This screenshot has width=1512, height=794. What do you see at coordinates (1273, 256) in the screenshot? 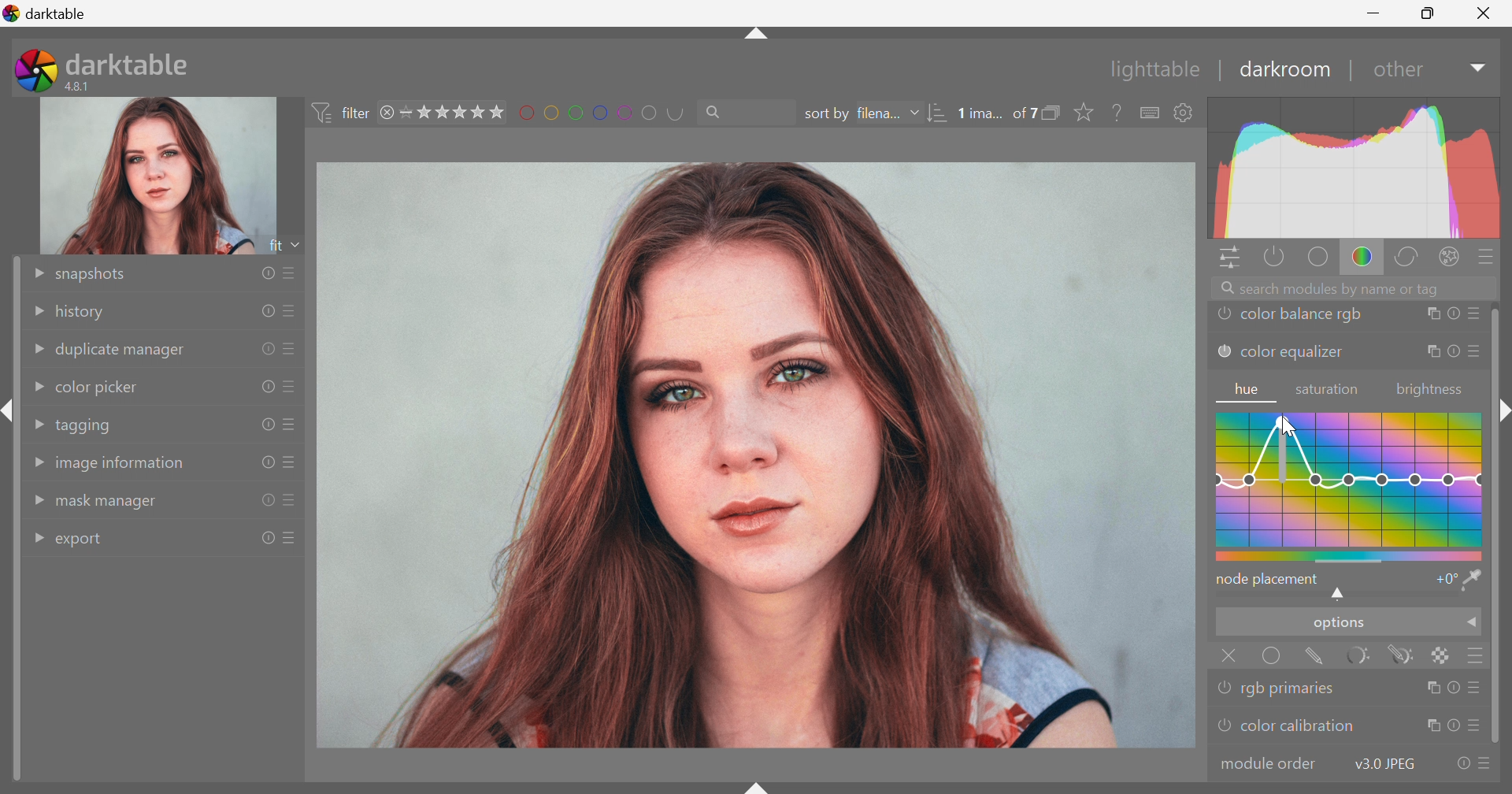
I see `show only active modules` at bounding box center [1273, 256].